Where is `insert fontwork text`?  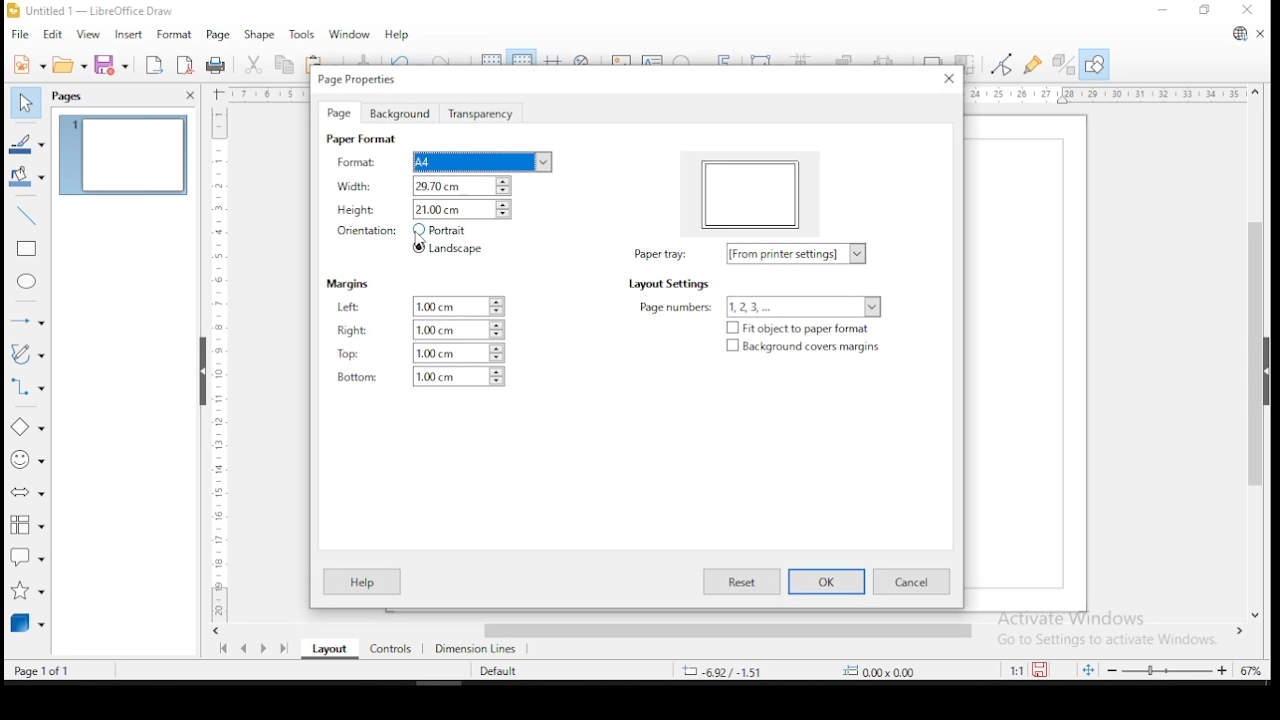 insert fontwork text is located at coordinates (726, 57).